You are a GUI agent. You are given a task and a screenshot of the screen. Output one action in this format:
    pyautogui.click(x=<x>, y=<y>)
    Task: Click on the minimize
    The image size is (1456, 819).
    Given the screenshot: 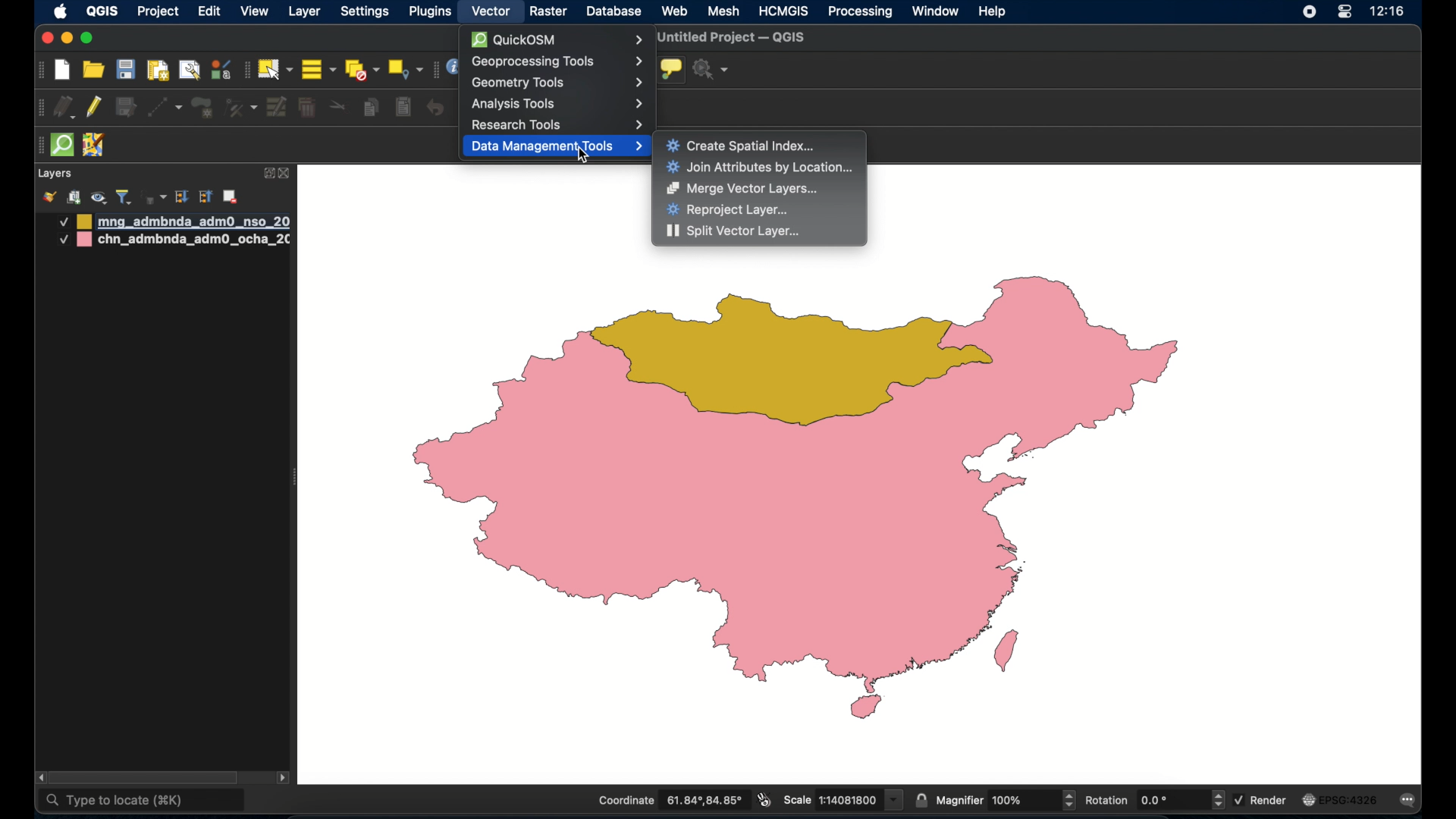 What is the action you would take?
    pyautogui.click(x=66, y=39)
    